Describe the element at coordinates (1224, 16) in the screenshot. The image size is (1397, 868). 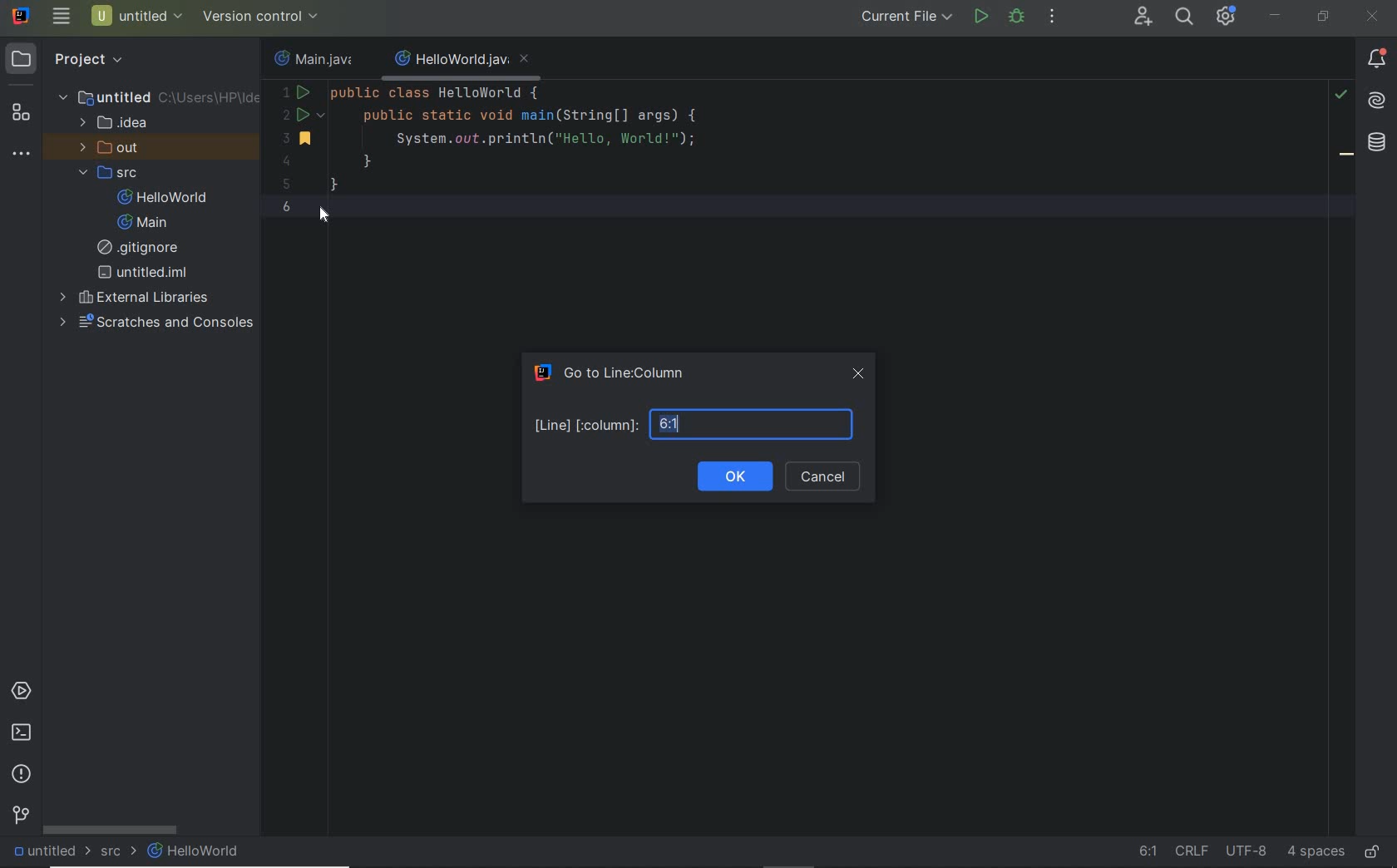
I see `IDE and Project Settings` at that location.